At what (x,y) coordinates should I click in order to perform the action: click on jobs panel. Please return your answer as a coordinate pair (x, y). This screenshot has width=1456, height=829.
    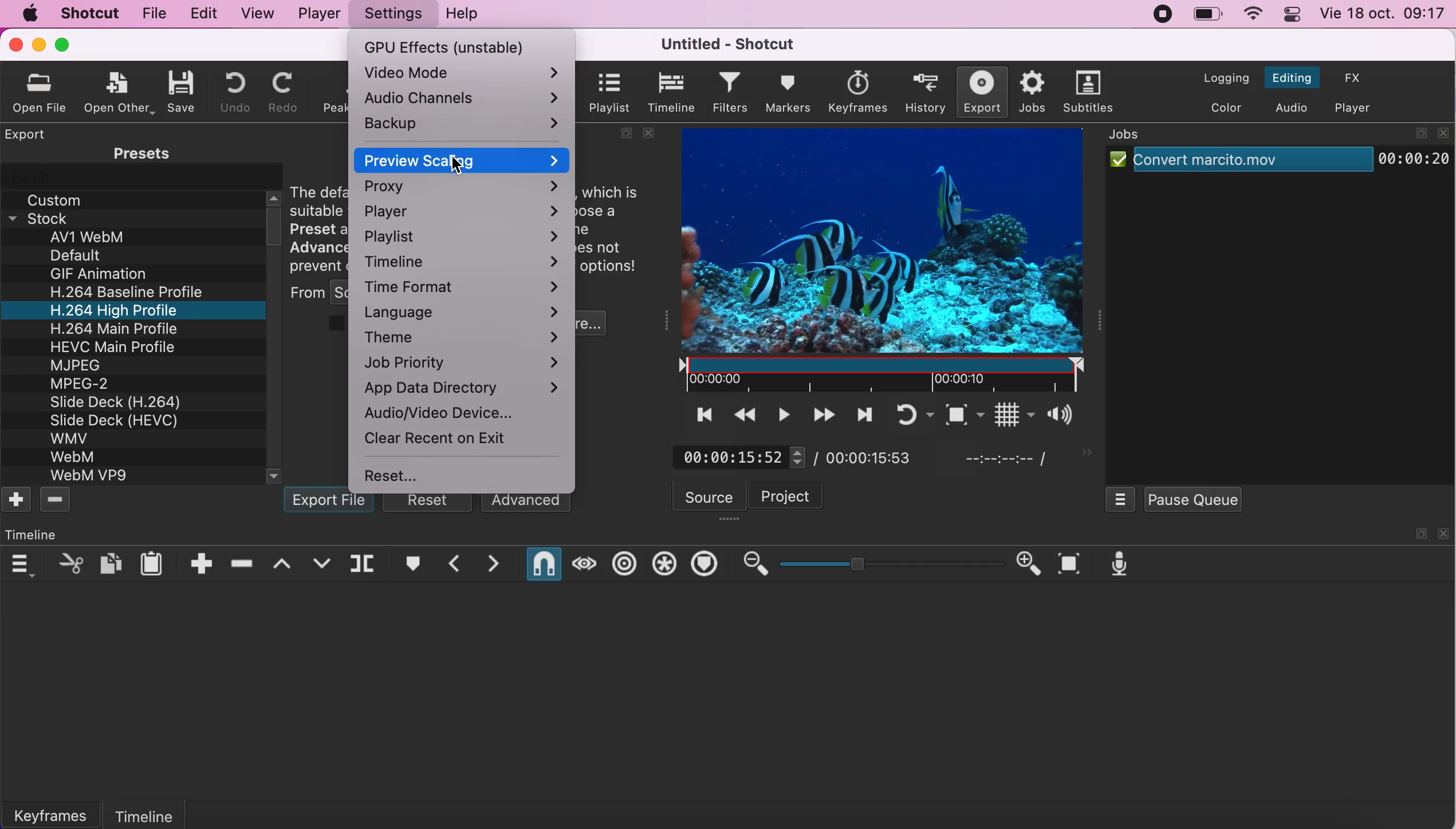
    Looking at the image, I should click on (1136, 136).